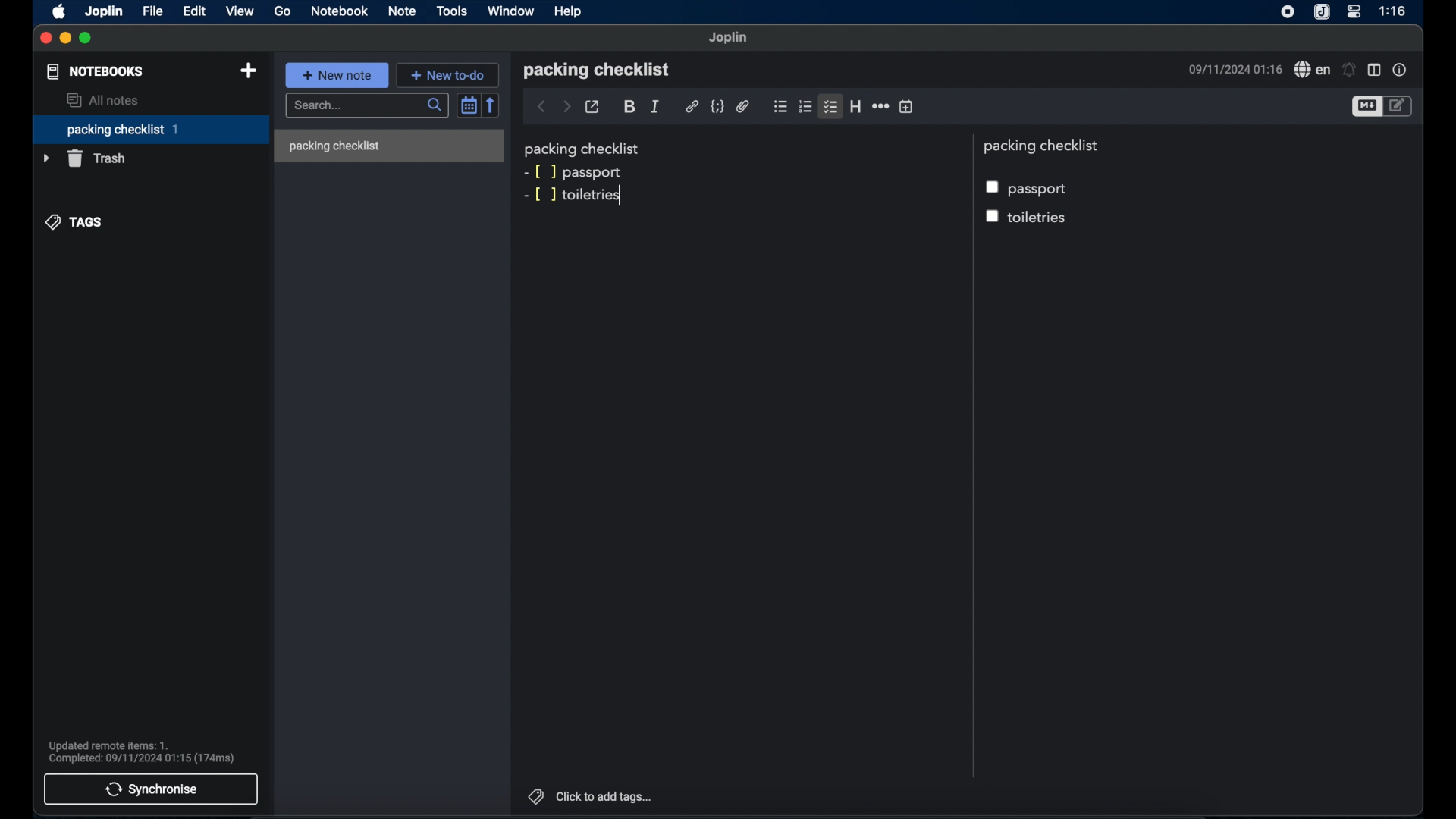 The image size is (1456, 819). What do you see at coordinates (629, 107) in the screenshot?
I see `bold` at bounding box center [629, 107].